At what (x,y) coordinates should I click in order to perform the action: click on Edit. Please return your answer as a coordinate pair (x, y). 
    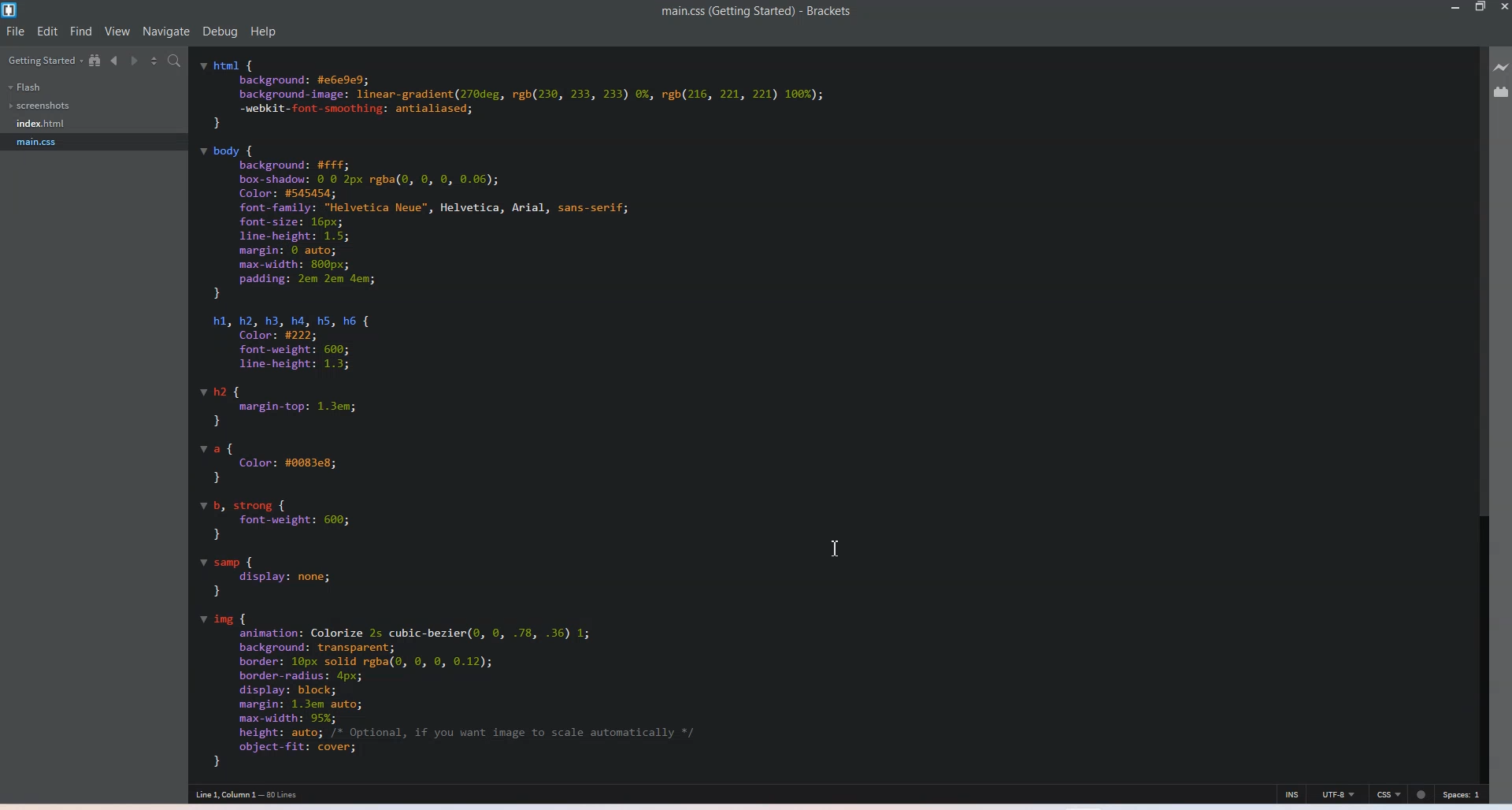
    Looking at the image, I should click on (48, 32).